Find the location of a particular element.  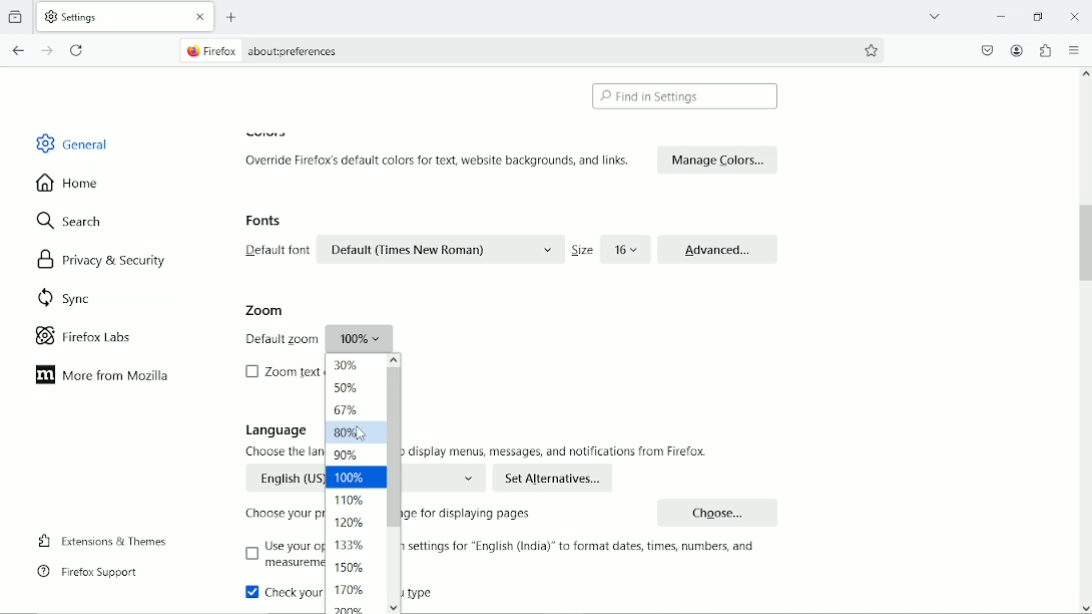

Home is located at coordinates (70, 182).